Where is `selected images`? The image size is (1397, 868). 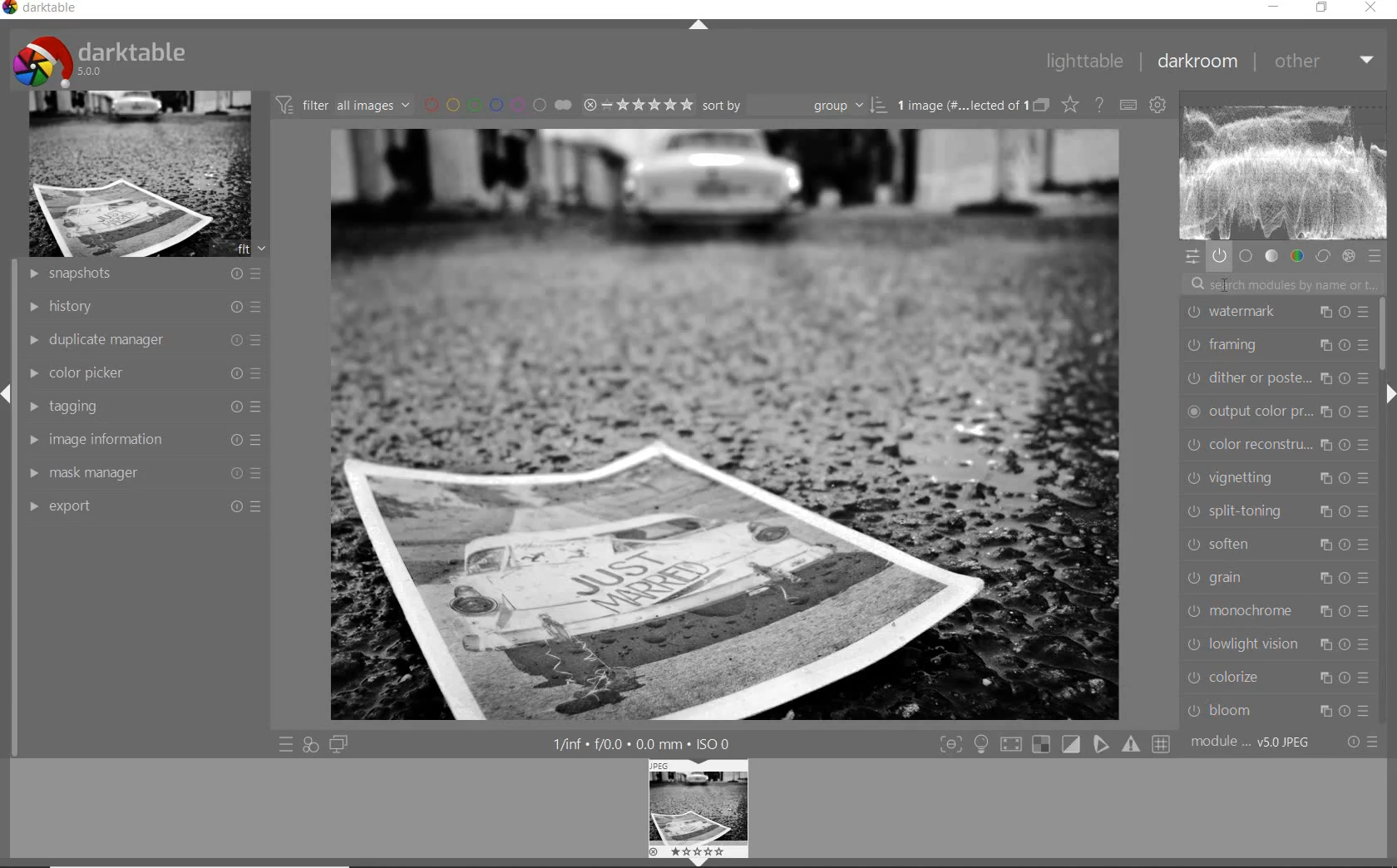 selected images is located at coordinates (962, 106).